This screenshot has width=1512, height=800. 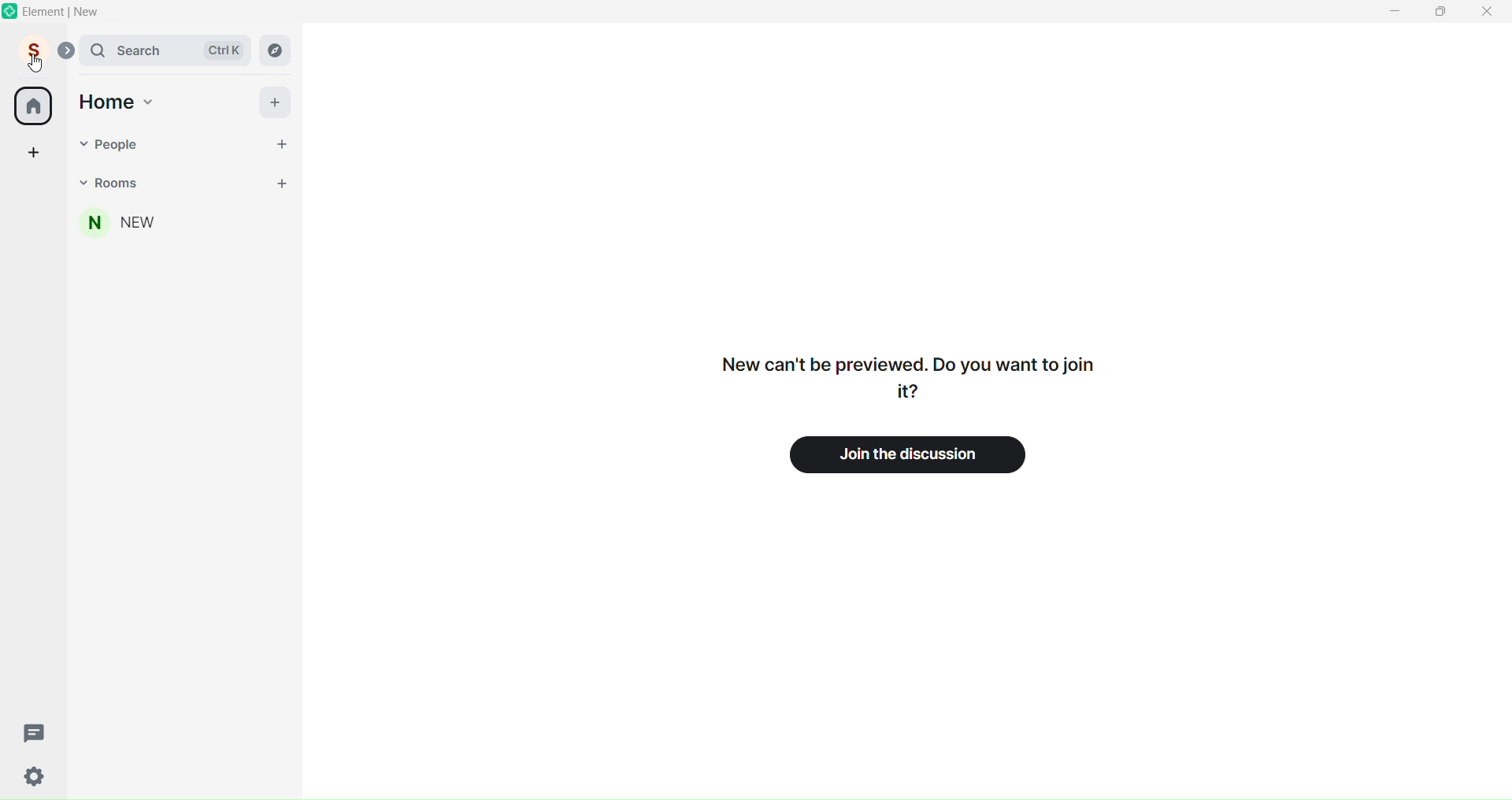 I want to click on Add, so click(x=277, y=102).